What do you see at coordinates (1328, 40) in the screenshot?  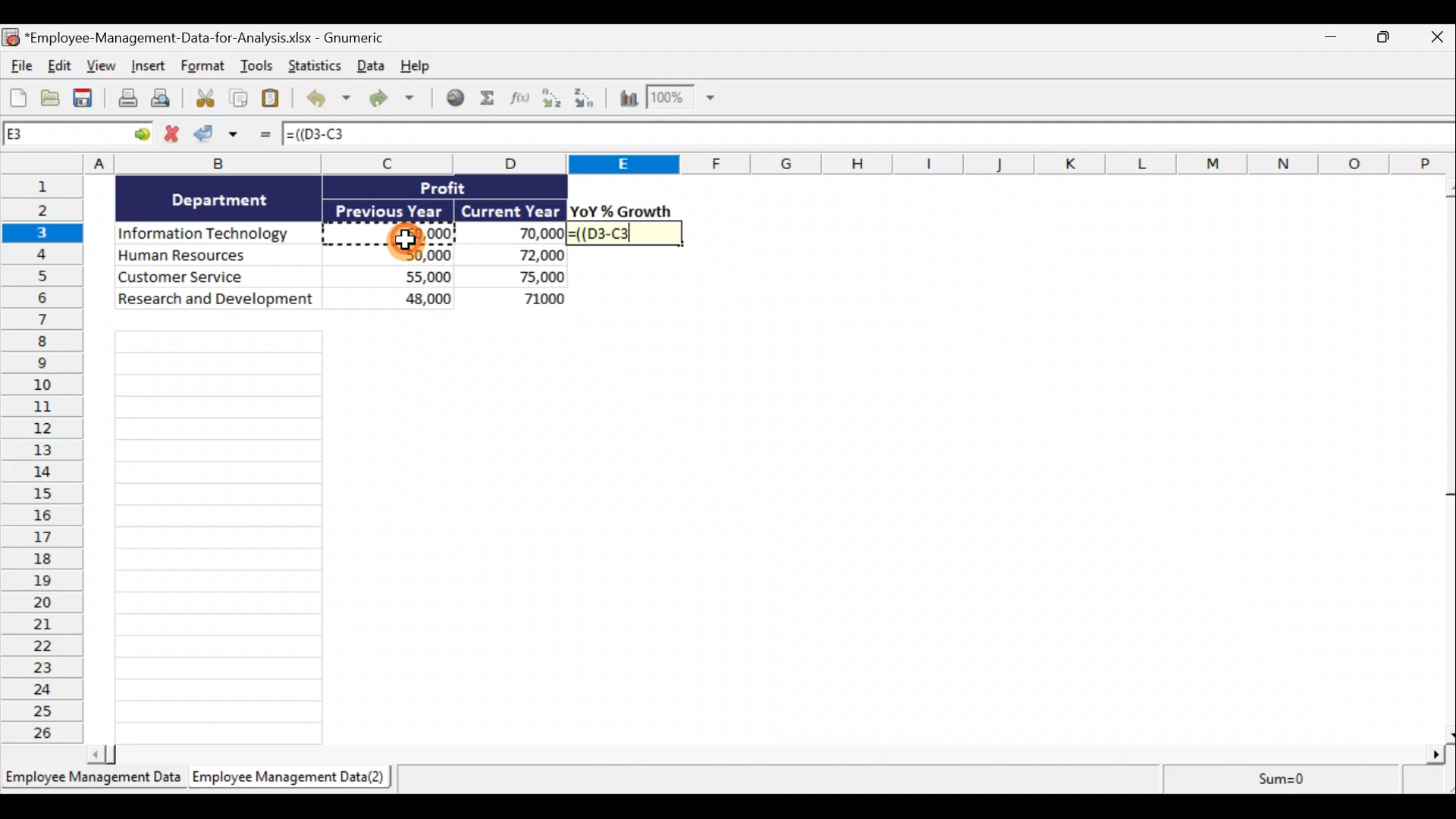 I see `Minimise` at bounding box center [1328, 40].